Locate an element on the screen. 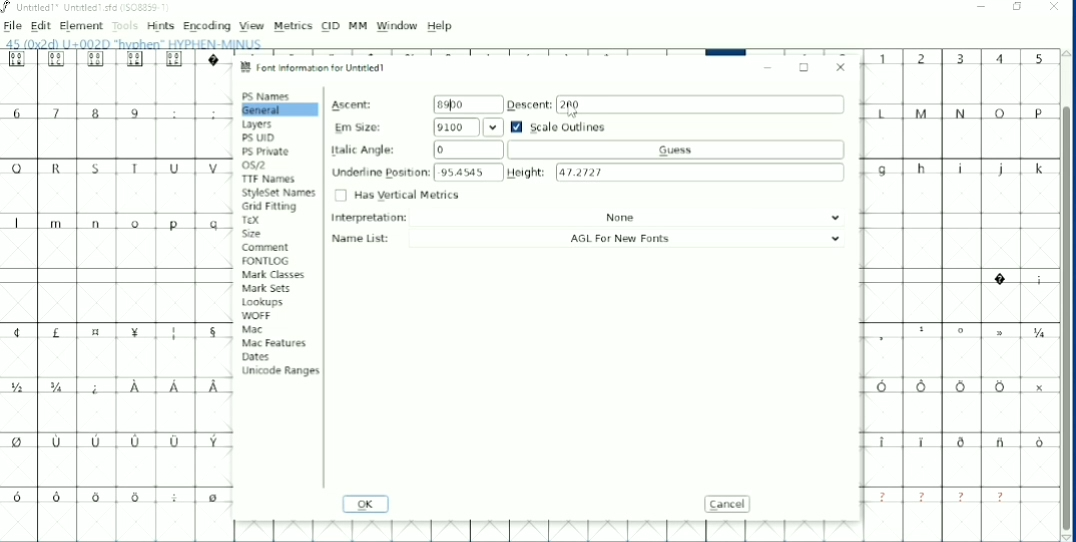 The height and width of the screenshot is (542, 1076). Metrics is located at coordinates (292, 26).